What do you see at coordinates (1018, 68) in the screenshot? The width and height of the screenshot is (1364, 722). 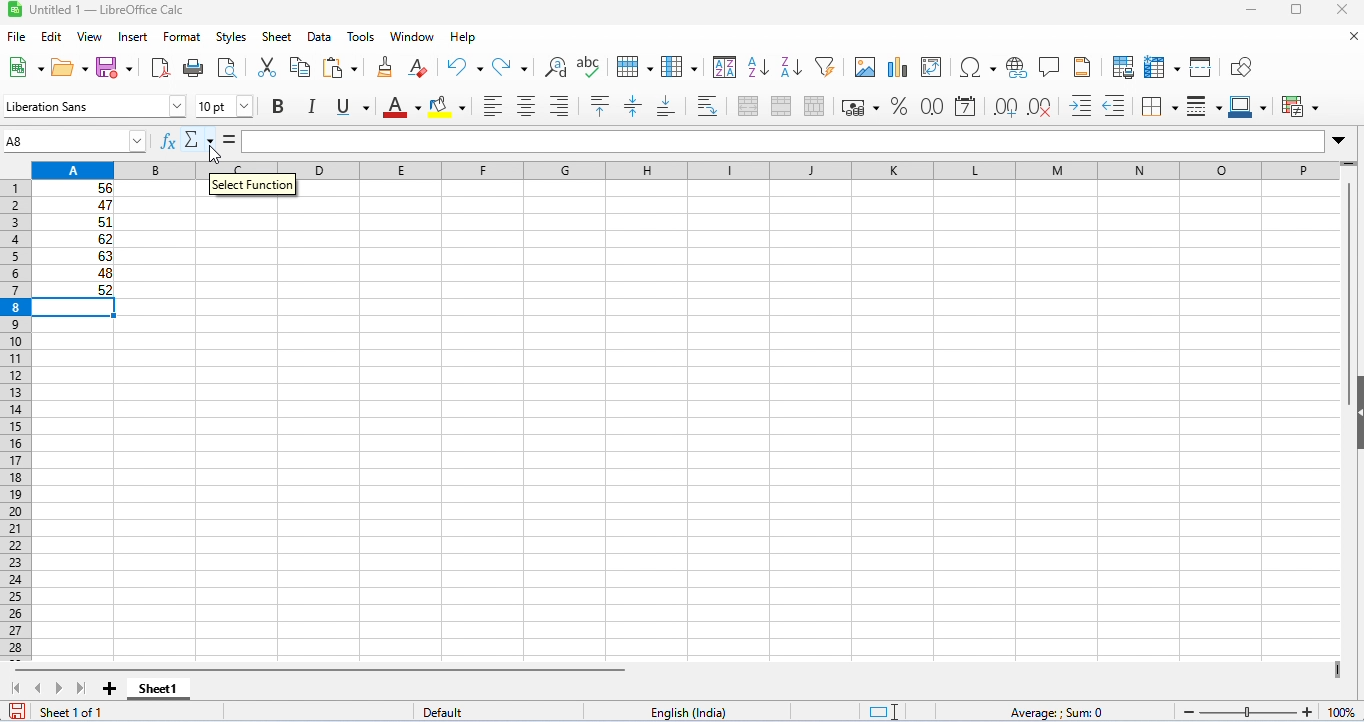 I see `insert hyperlink` at bounding box center [1018, 68].